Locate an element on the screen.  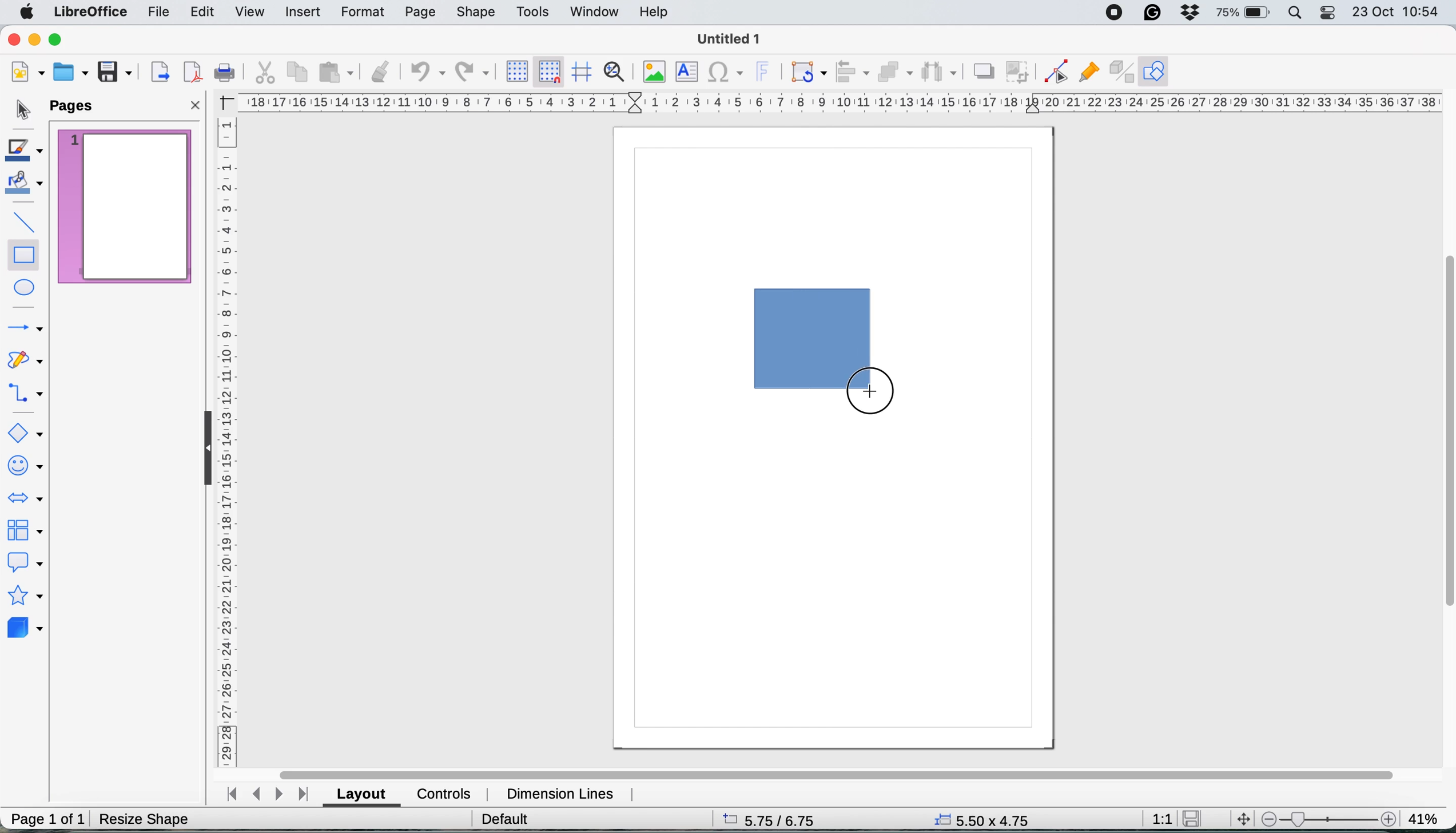
export is located at coordinates (161, 70).